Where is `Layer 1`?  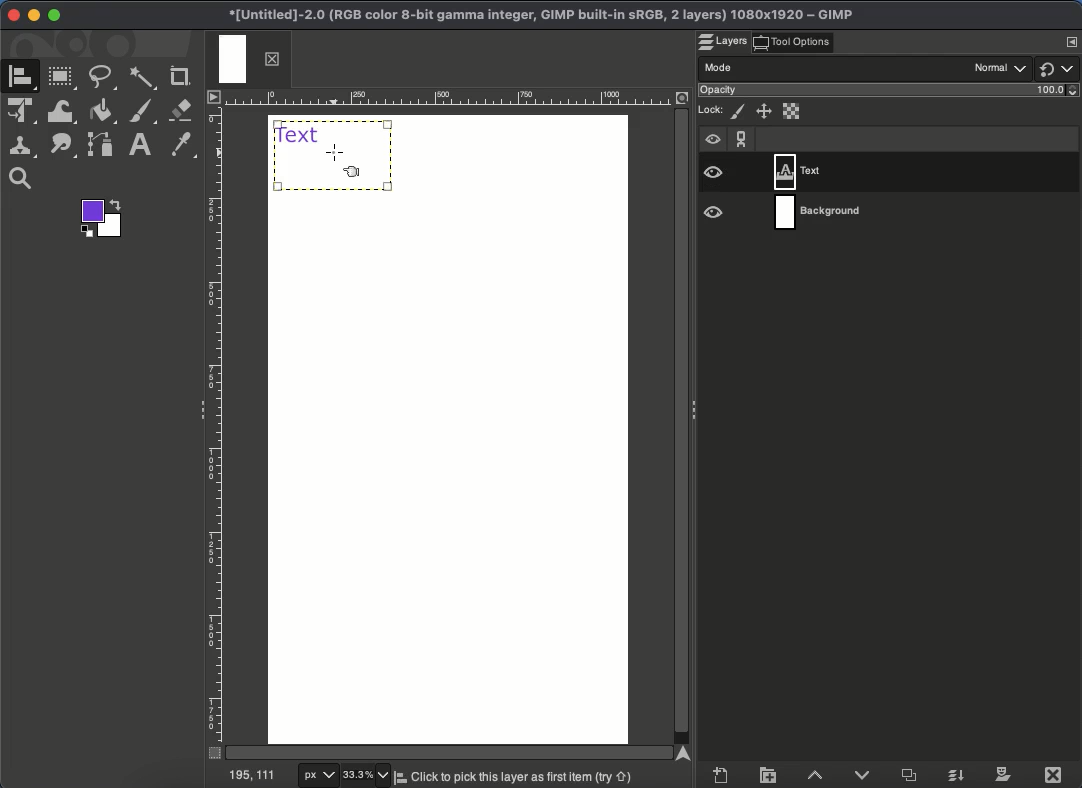
Layer 1 is located at coordinates (926, 172).